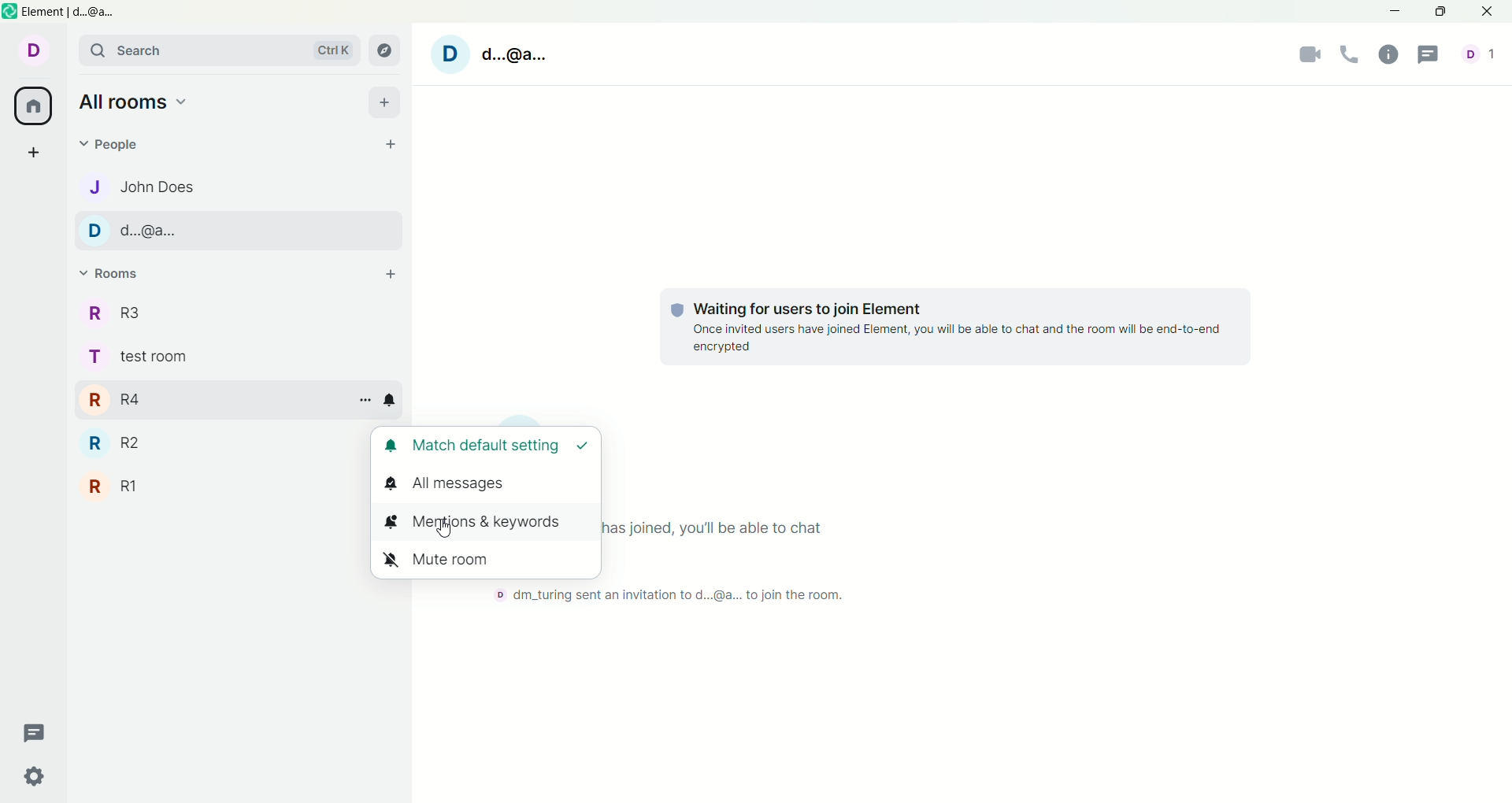 The width and height of the screenshot is (1512, 803). I want to click on threads, so click(1438, 55).